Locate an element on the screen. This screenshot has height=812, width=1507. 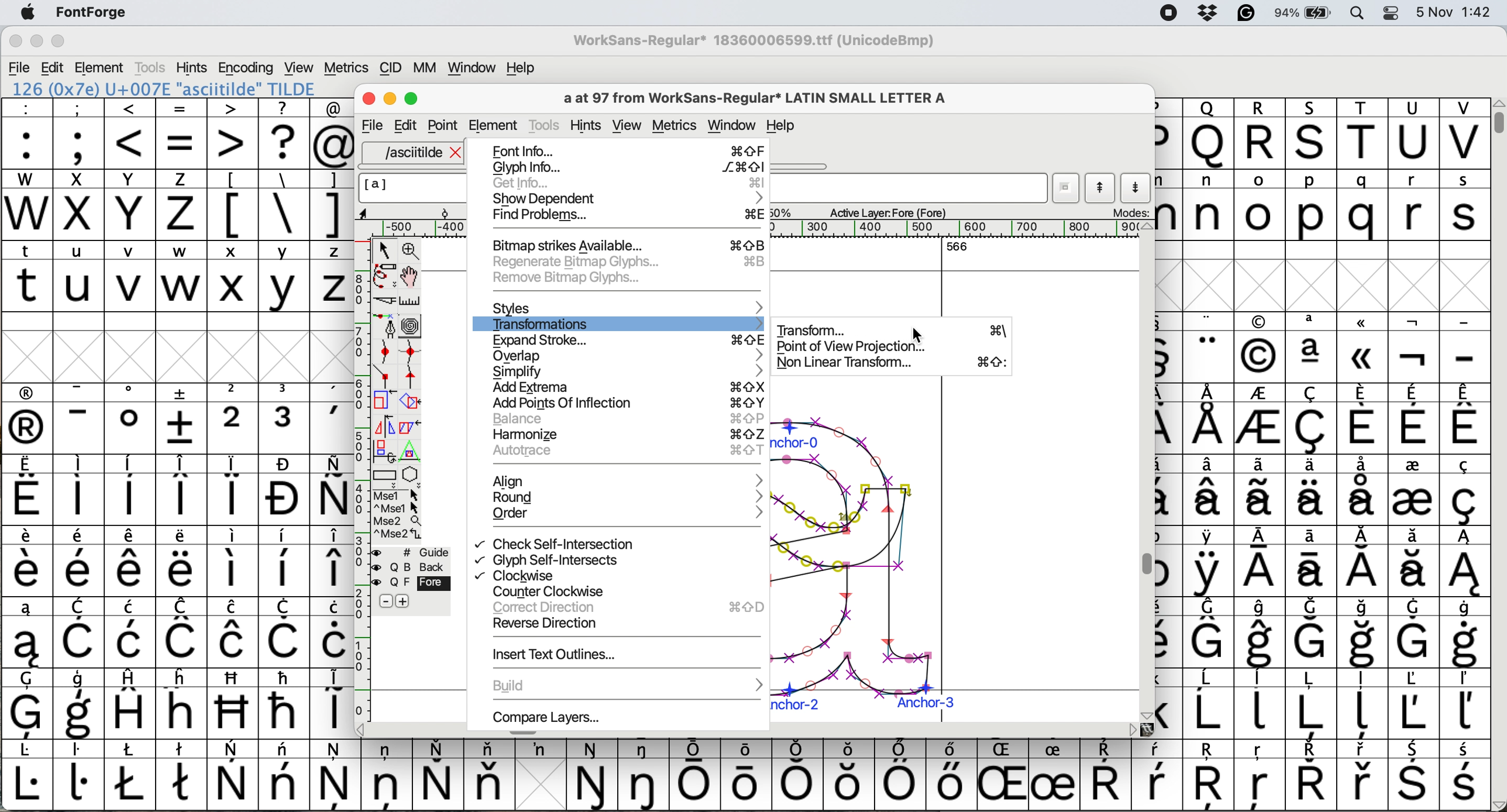
symbol is located at coordinates (1463, 490).